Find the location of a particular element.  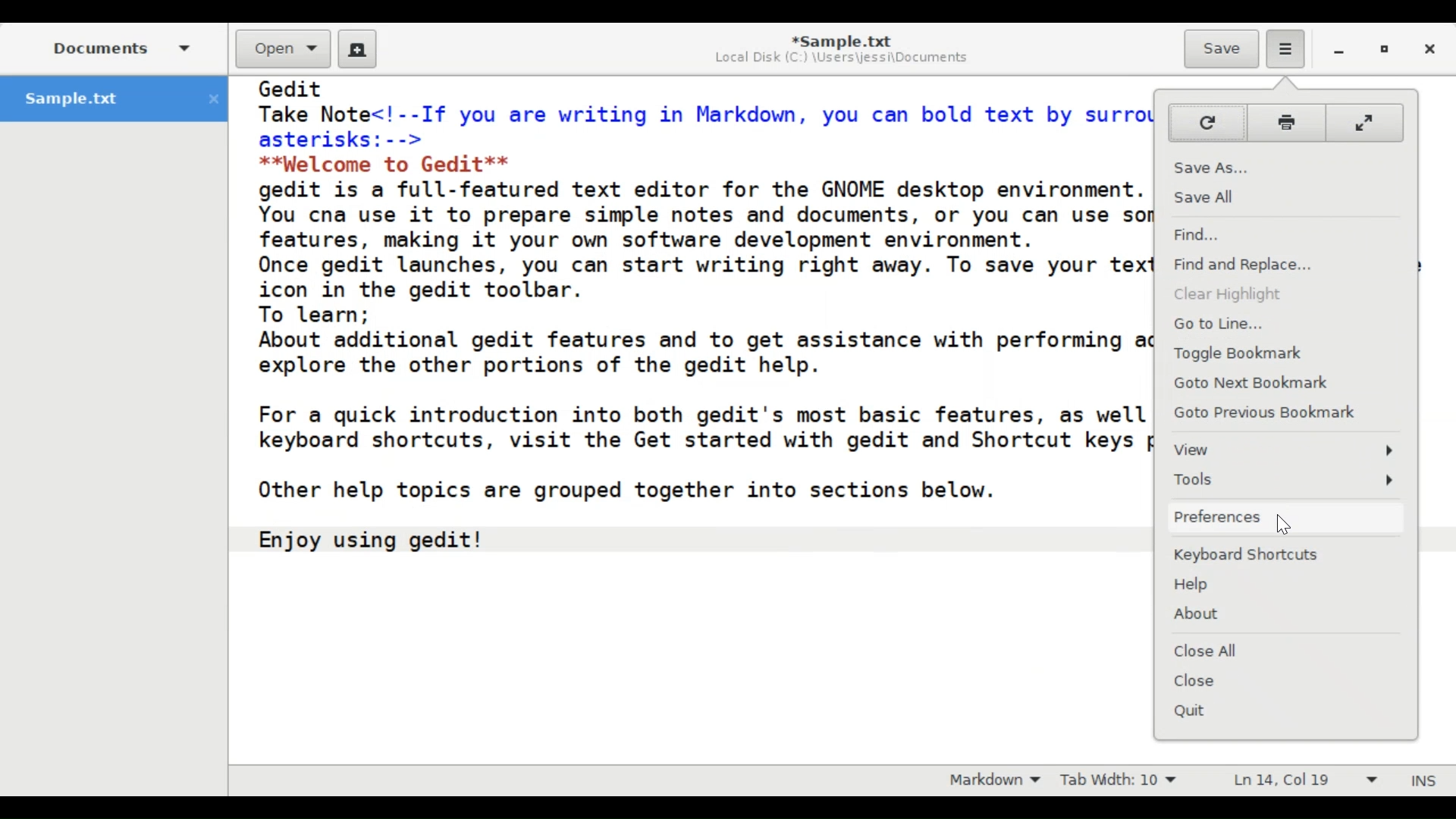

Open is located at coordinates (281, 49).